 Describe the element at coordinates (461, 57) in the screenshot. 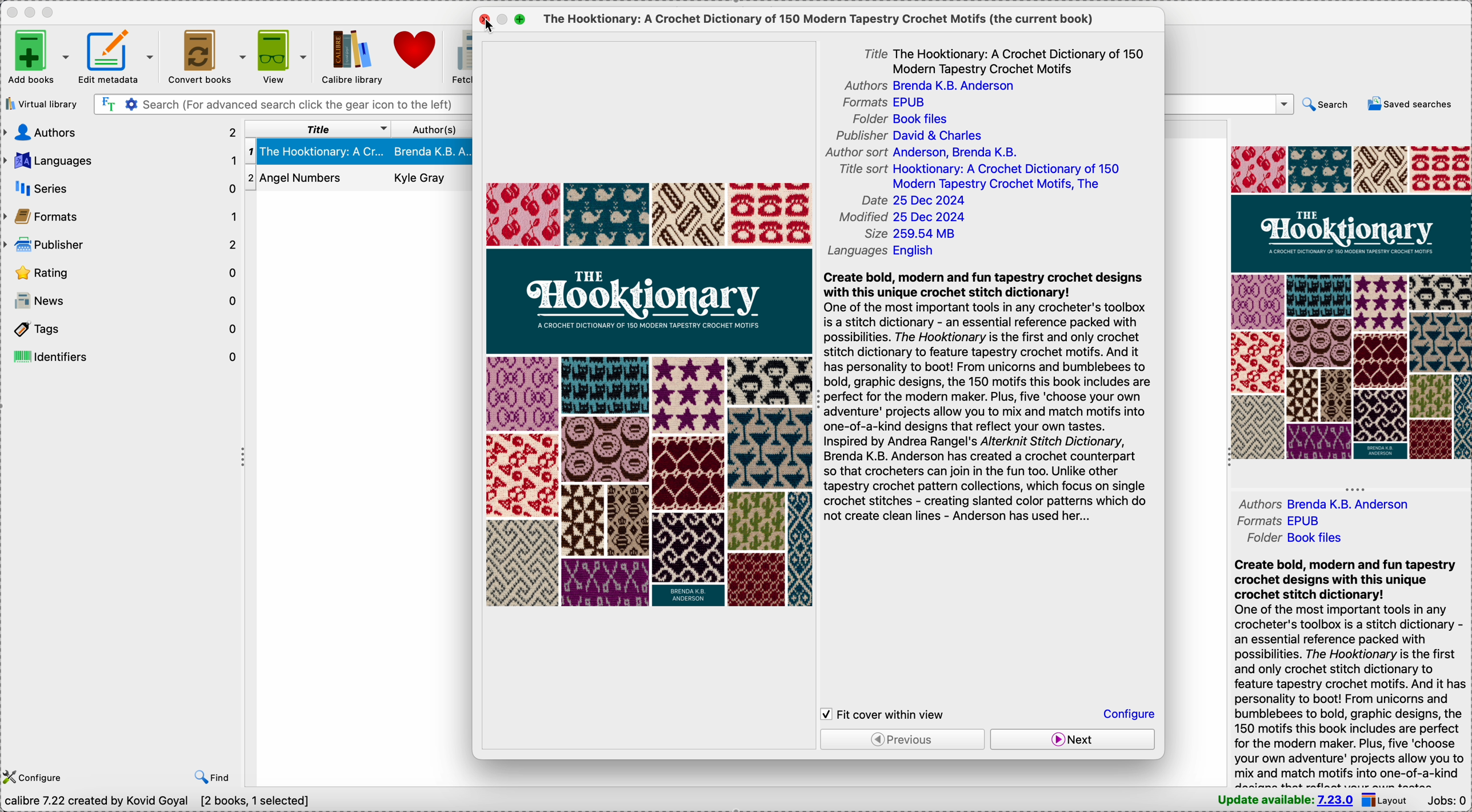

I see `fetch news` at that location.